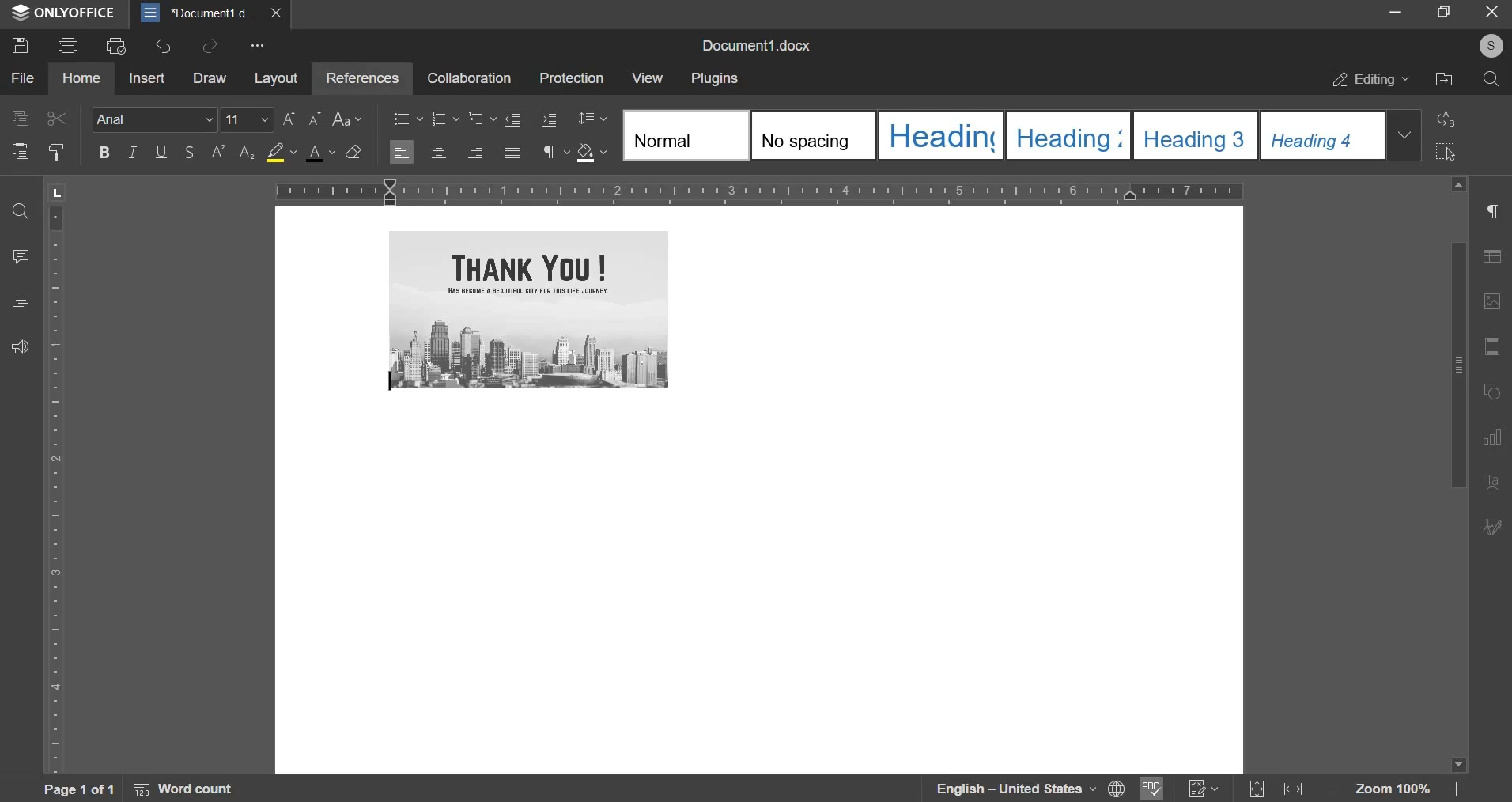  What do you see at coordinates (1258, 790) in the screenshot?
I see `Expand` at bounding box center [1258, 790].